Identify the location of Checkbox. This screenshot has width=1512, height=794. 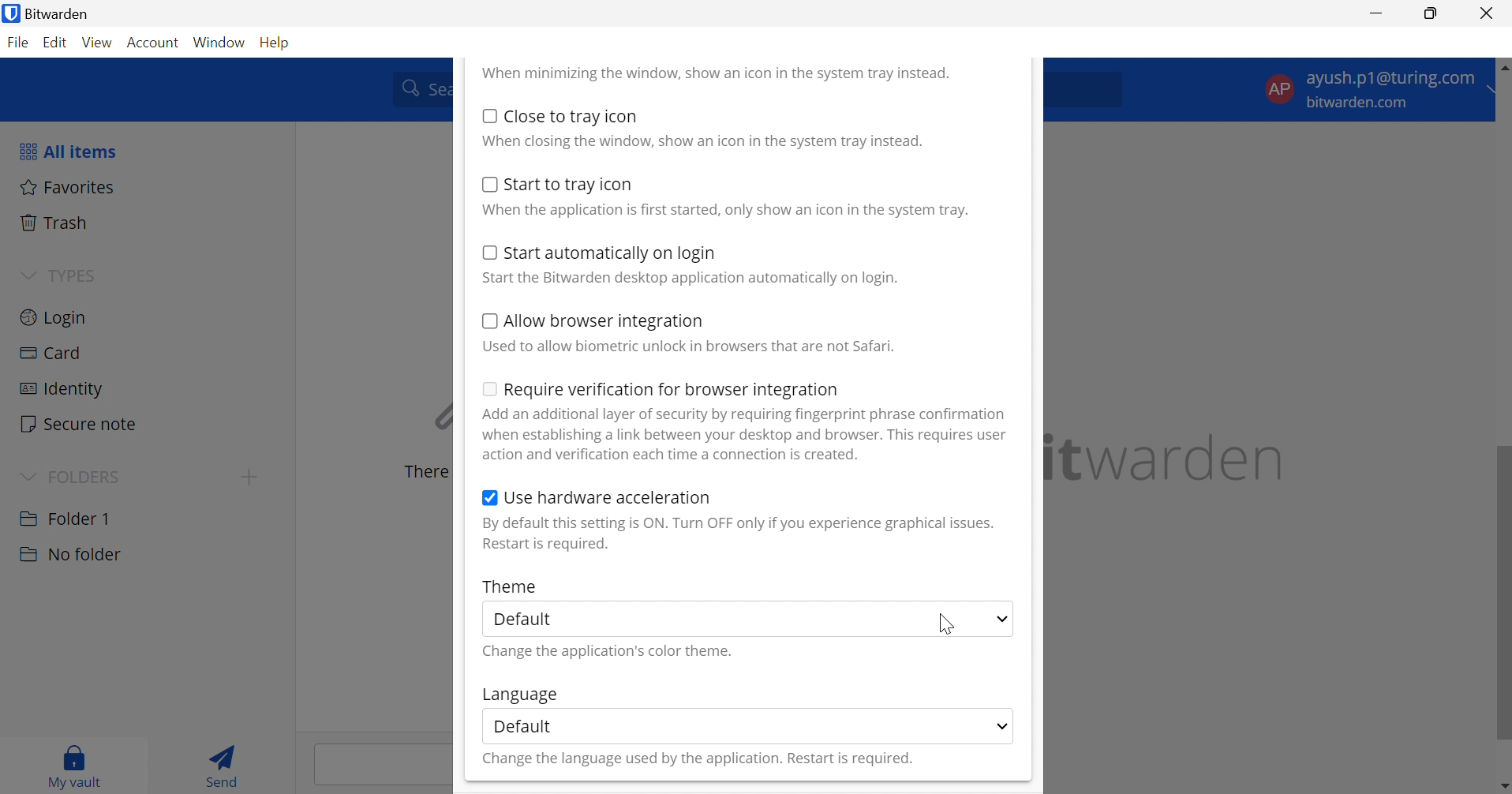
(486, 252).